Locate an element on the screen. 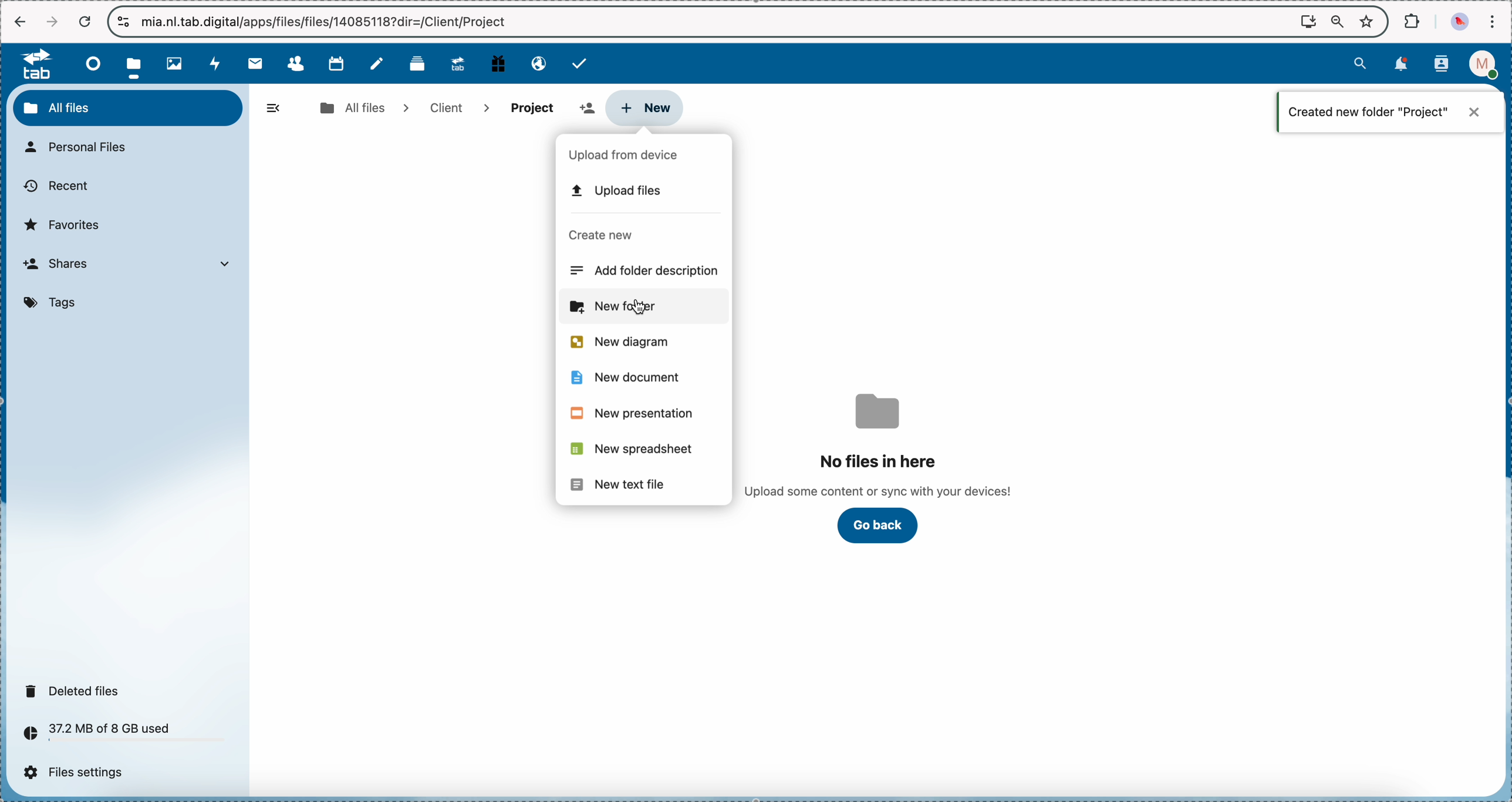 This screenshot has width=1512, height=802. tasks is located at coordinates (581, 63).